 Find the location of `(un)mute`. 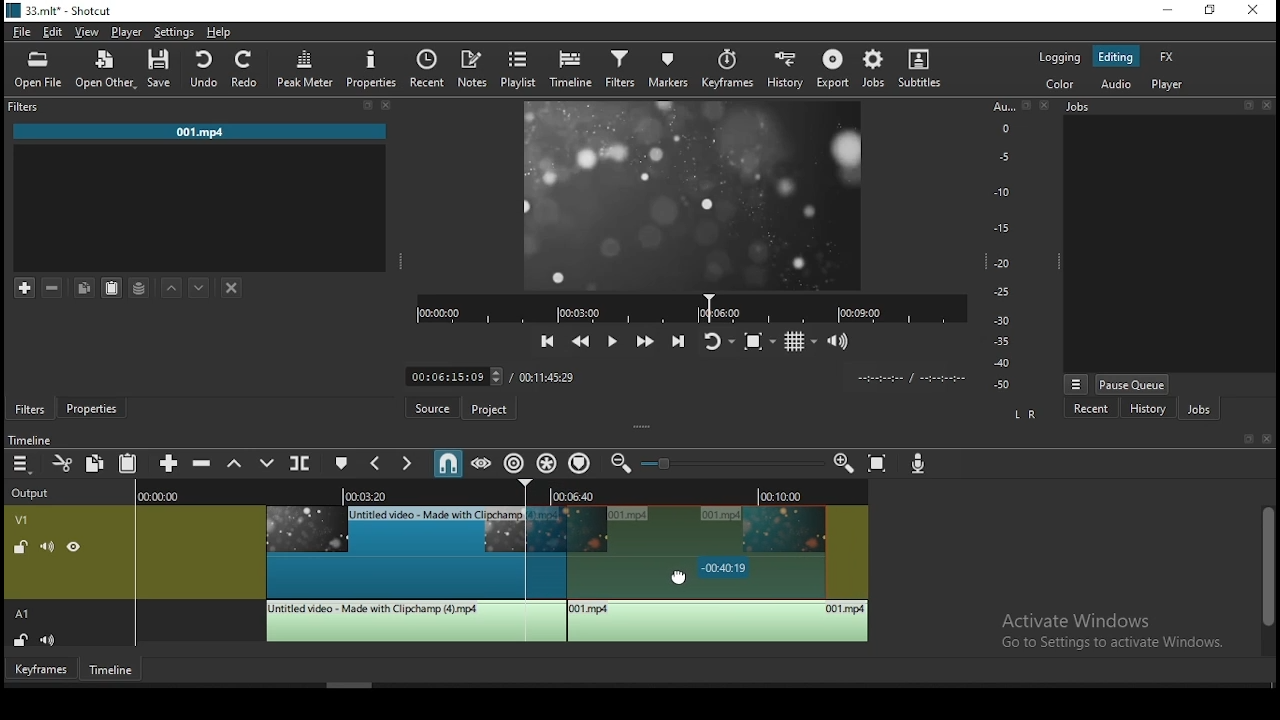

(un)mute is located at coordinates (43, 547).